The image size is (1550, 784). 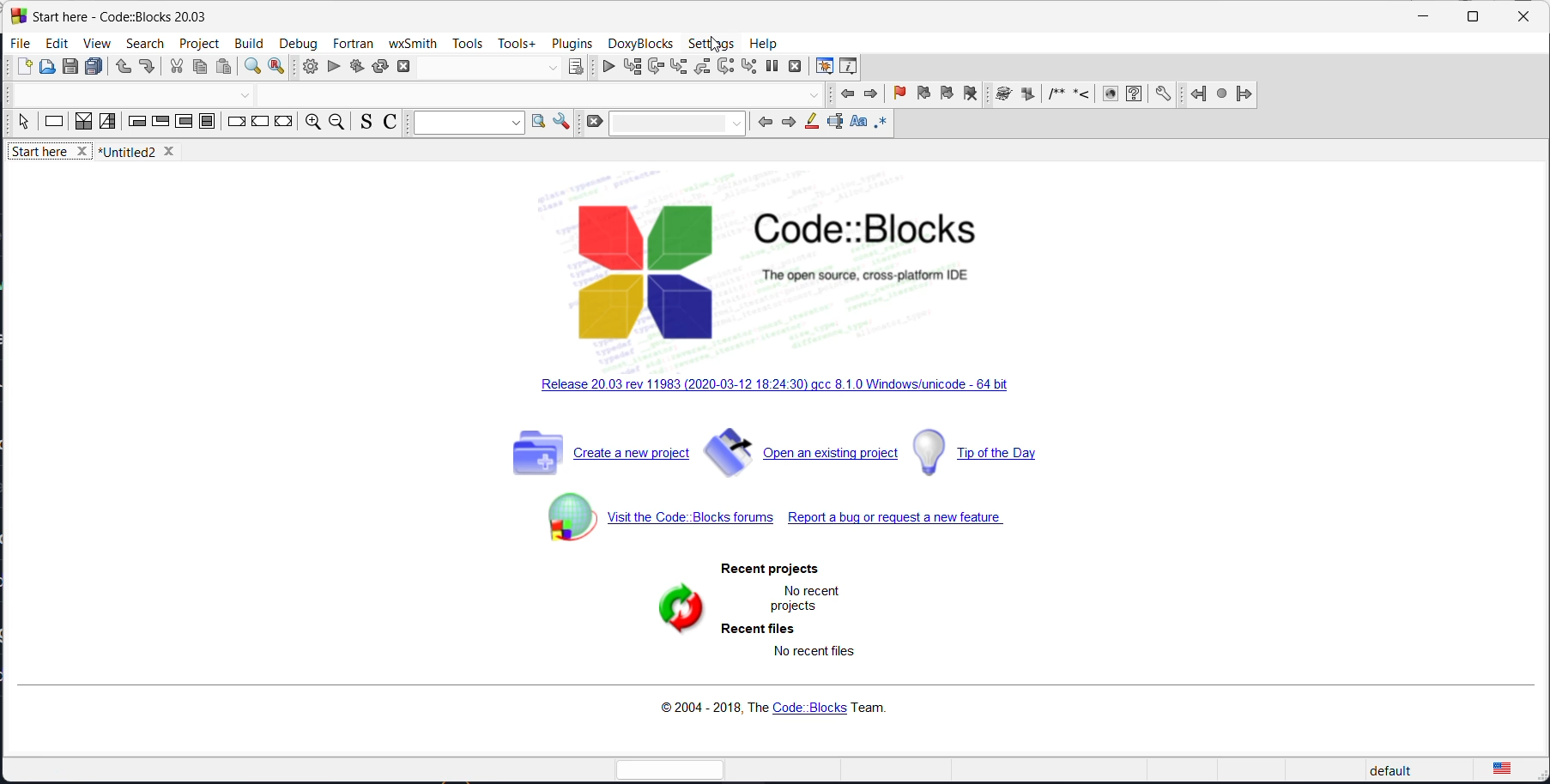 What do you see at coordinates (593, 123) in the screenshot?
I see `clear` at bounding box center [593, 123].